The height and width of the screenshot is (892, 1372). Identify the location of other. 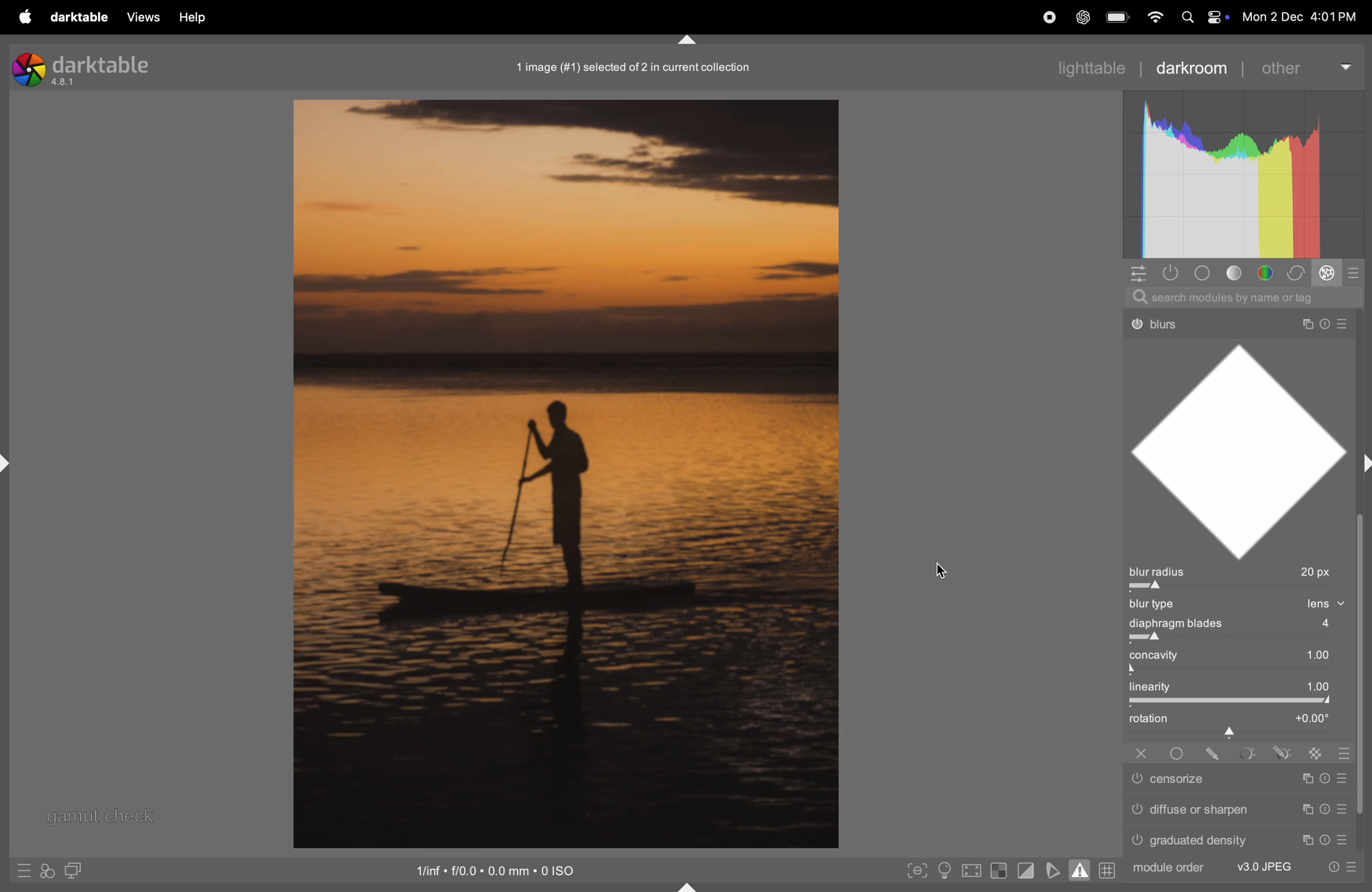
(1304, 66).